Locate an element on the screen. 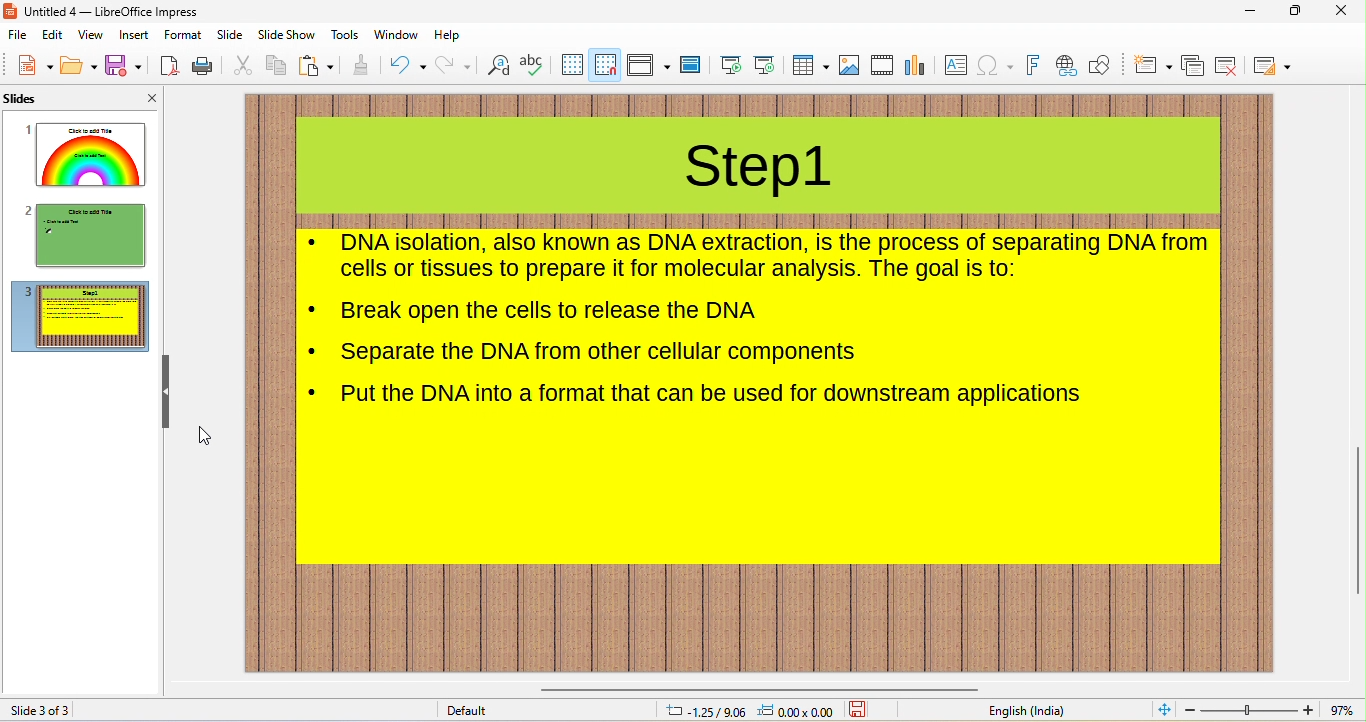  Dotted list is located at coordinates (314, 352).